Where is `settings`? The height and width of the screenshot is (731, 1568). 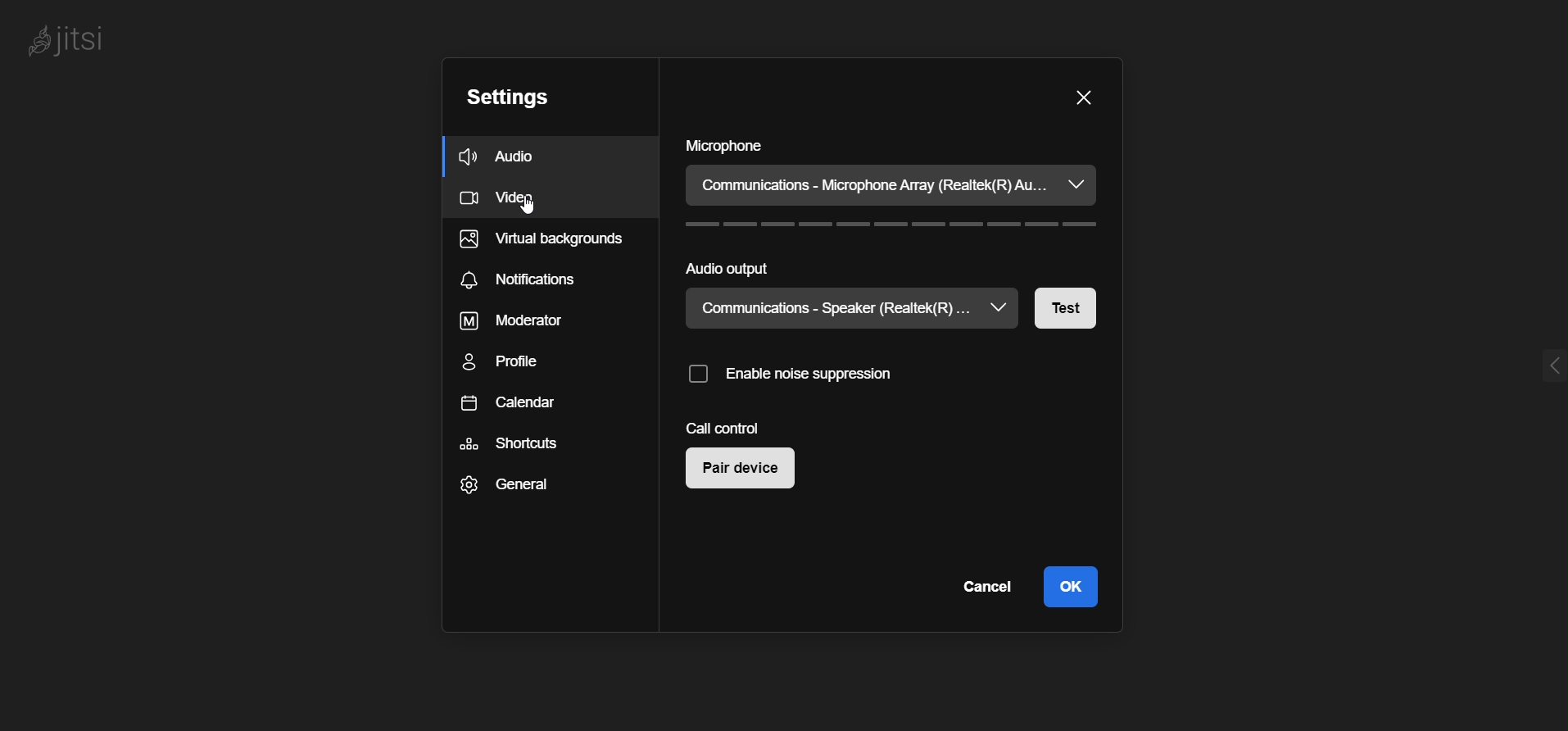 settings is located at coordinates (501, 99).